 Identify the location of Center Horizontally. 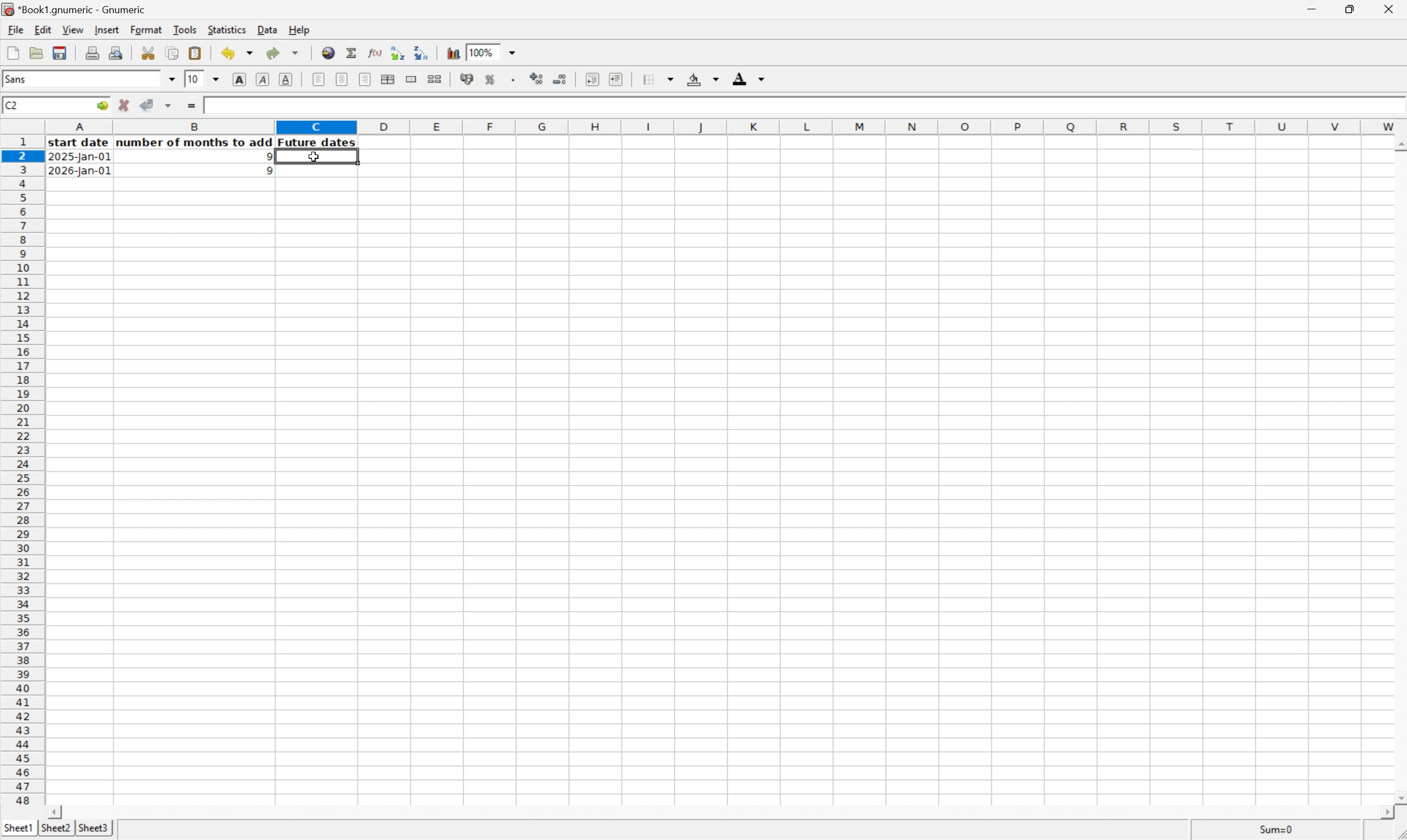
(342, 79).